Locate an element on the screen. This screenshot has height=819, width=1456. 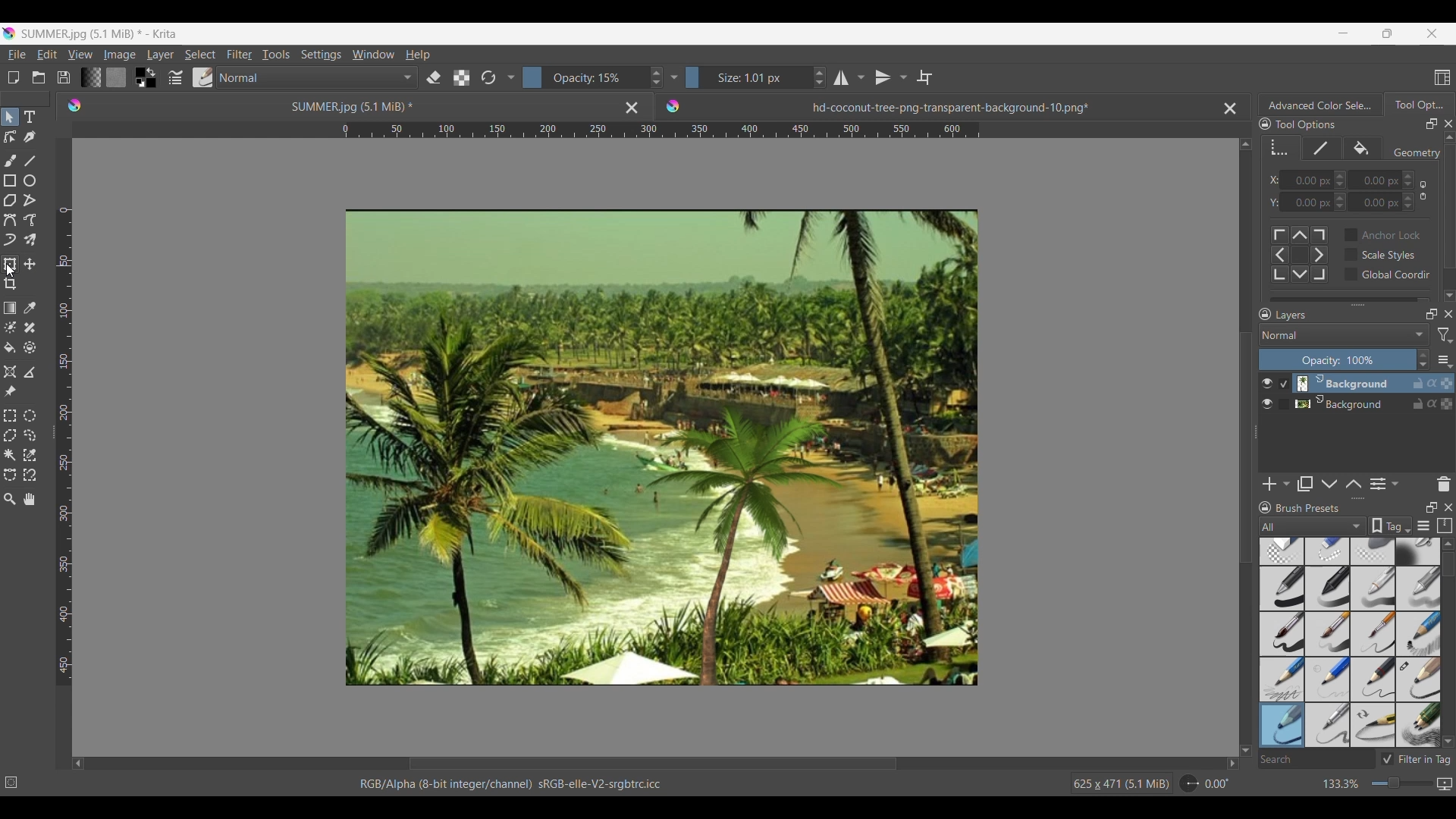
Normal is located at coordinates (317, 77).